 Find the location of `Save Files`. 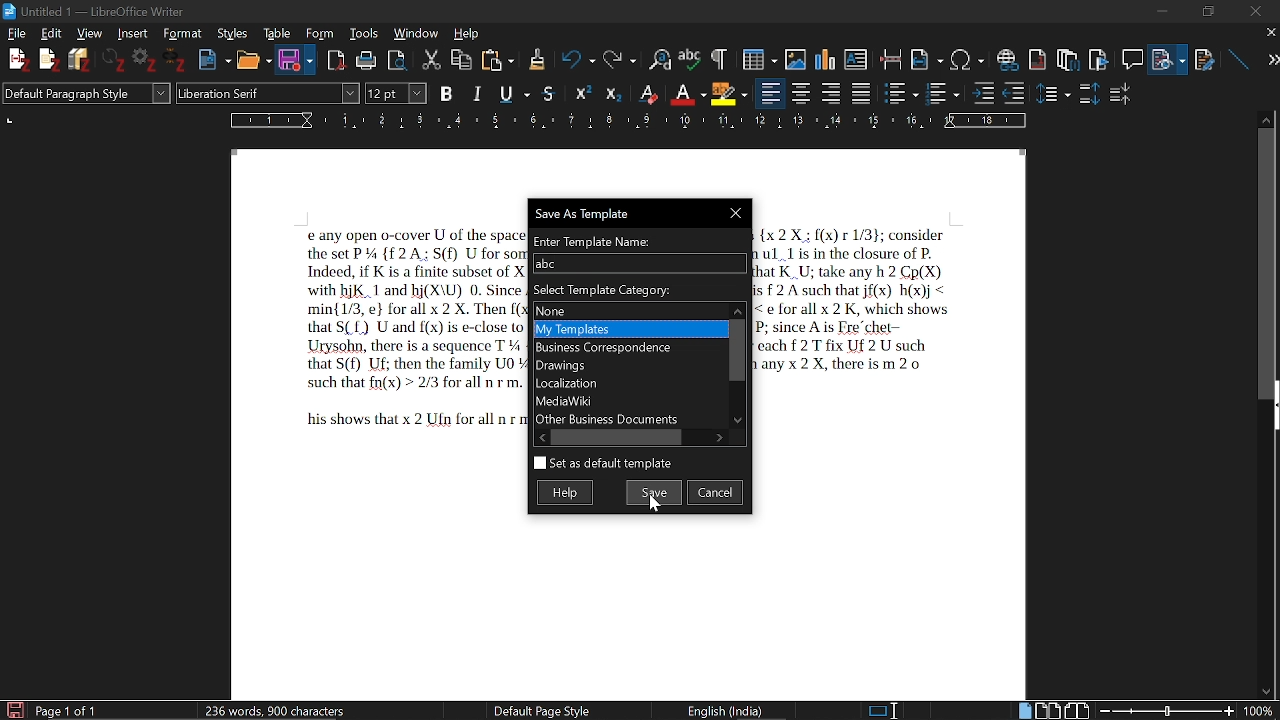

Save Files is located at coordinates (82, 60).